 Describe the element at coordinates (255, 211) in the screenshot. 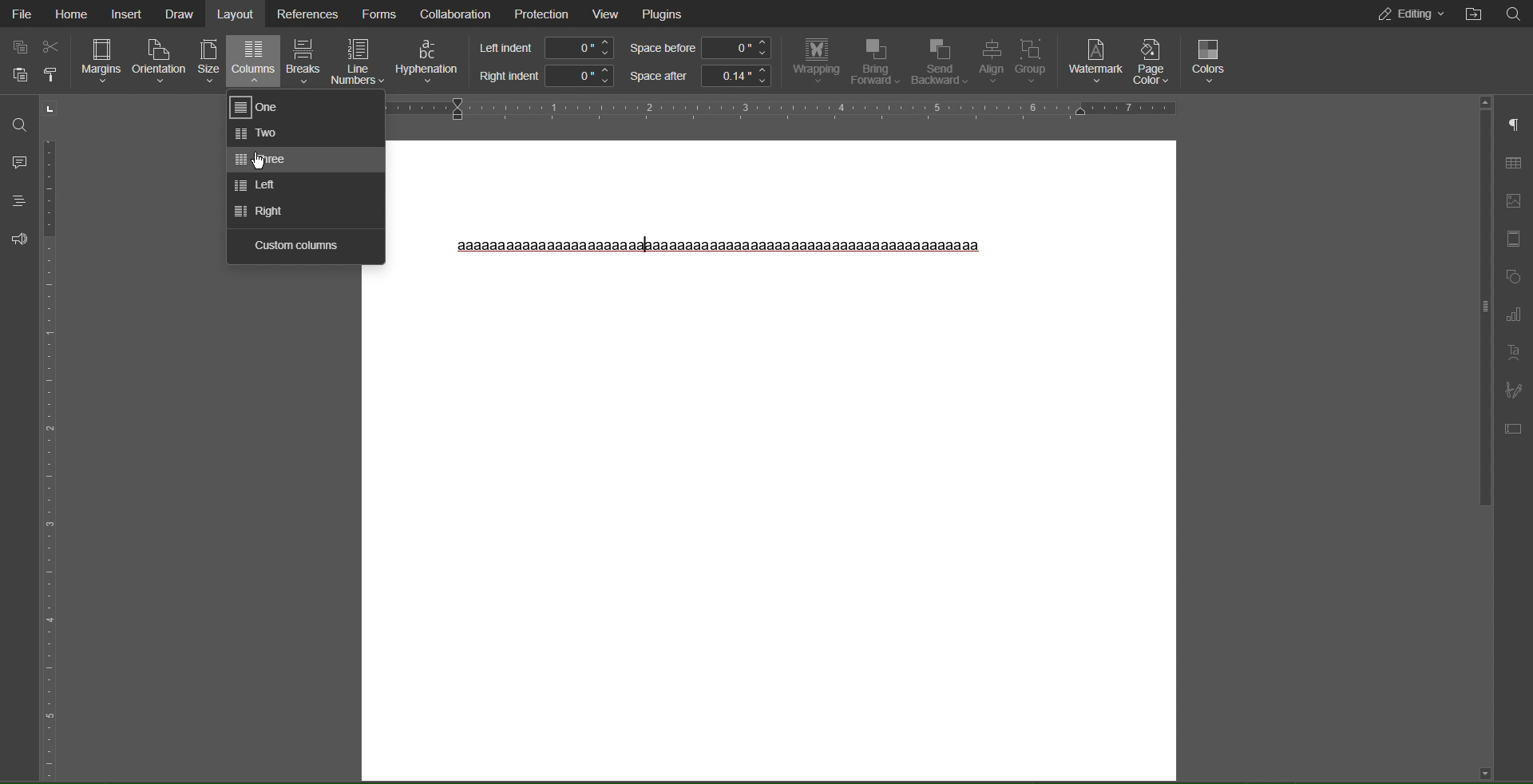

I see `Right` at that location.